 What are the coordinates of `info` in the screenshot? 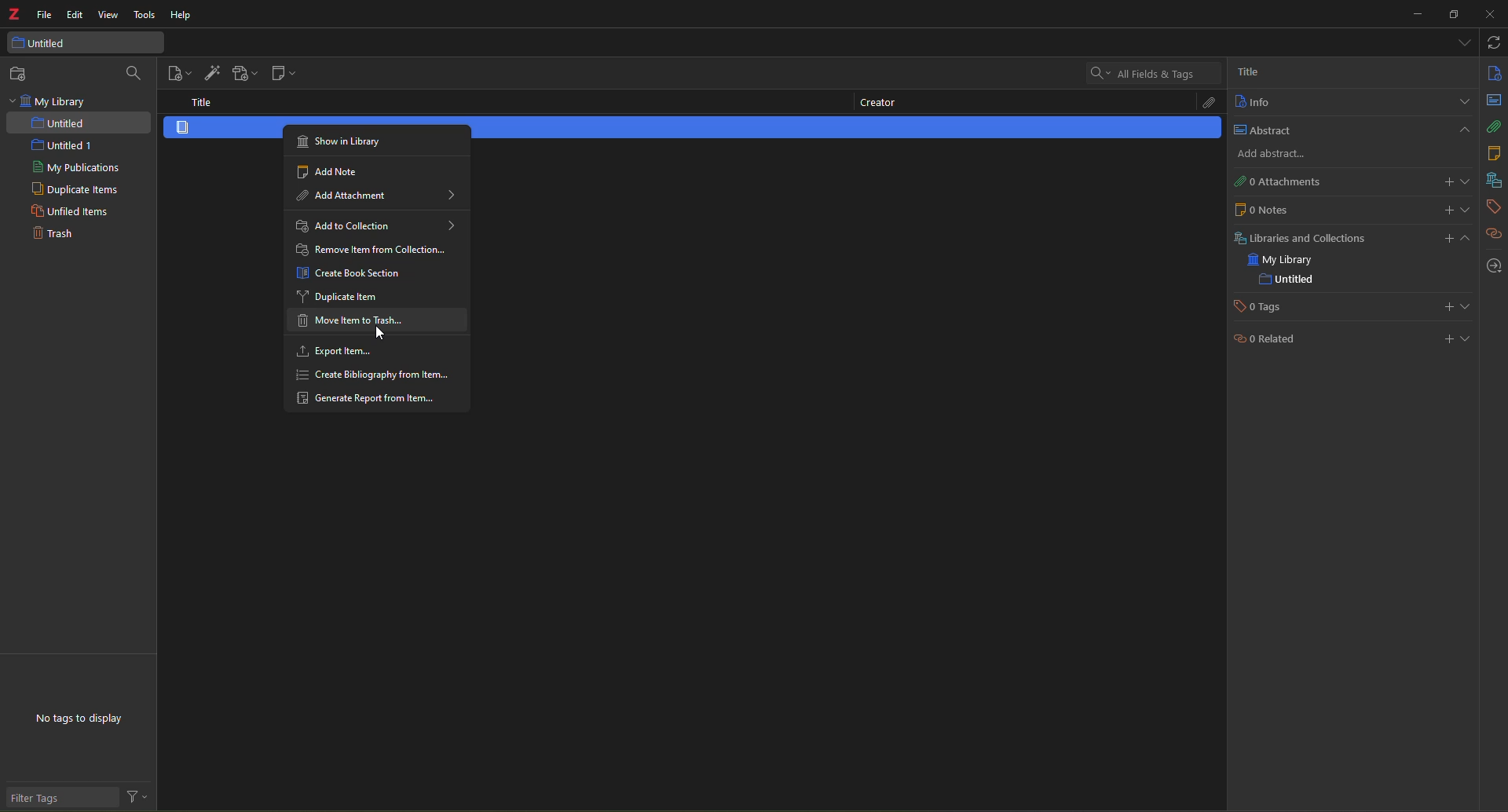 It's located at (1252, 102).